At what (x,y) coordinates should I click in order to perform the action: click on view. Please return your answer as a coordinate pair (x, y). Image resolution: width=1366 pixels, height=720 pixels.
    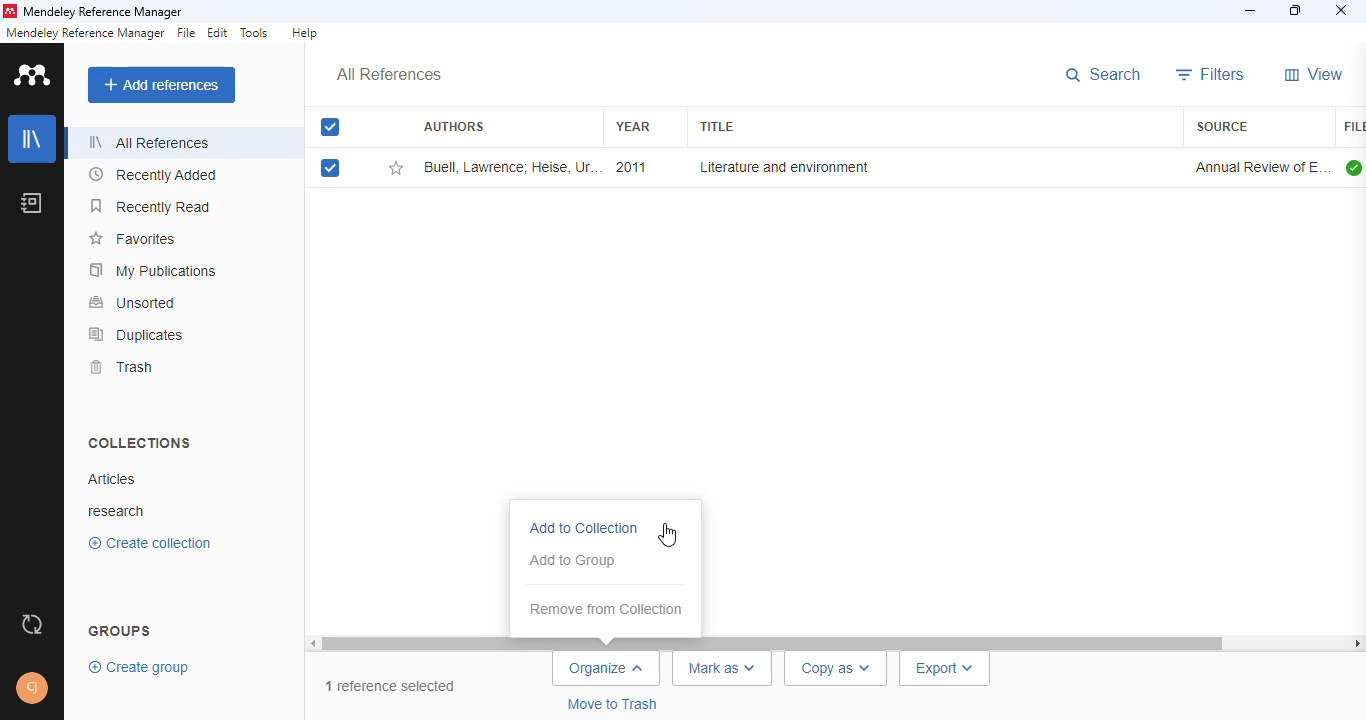
    Looking at the image, I should click on (1315, 74).